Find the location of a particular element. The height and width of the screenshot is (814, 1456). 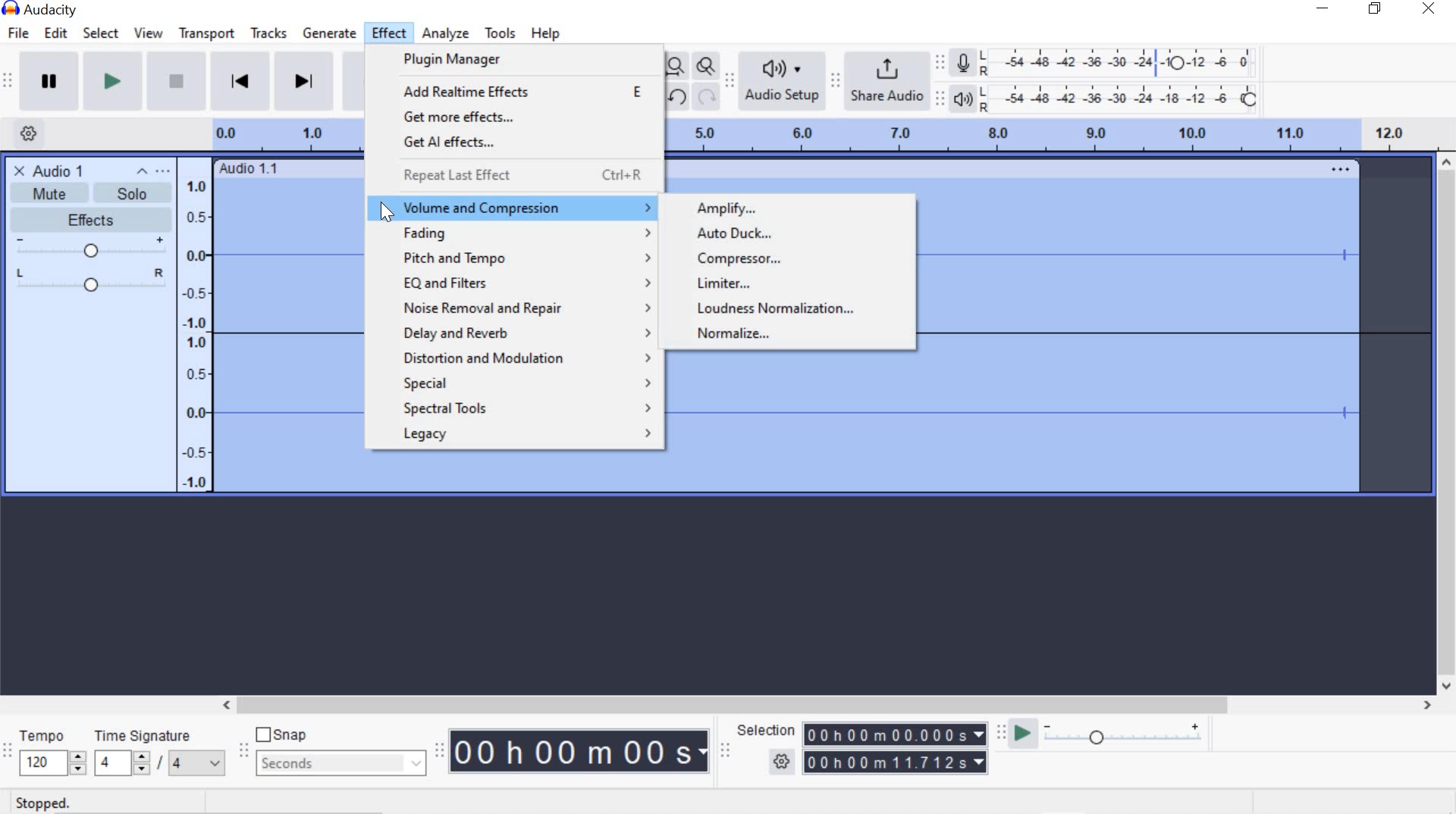

Open menu is located at coordinates (165, 171).